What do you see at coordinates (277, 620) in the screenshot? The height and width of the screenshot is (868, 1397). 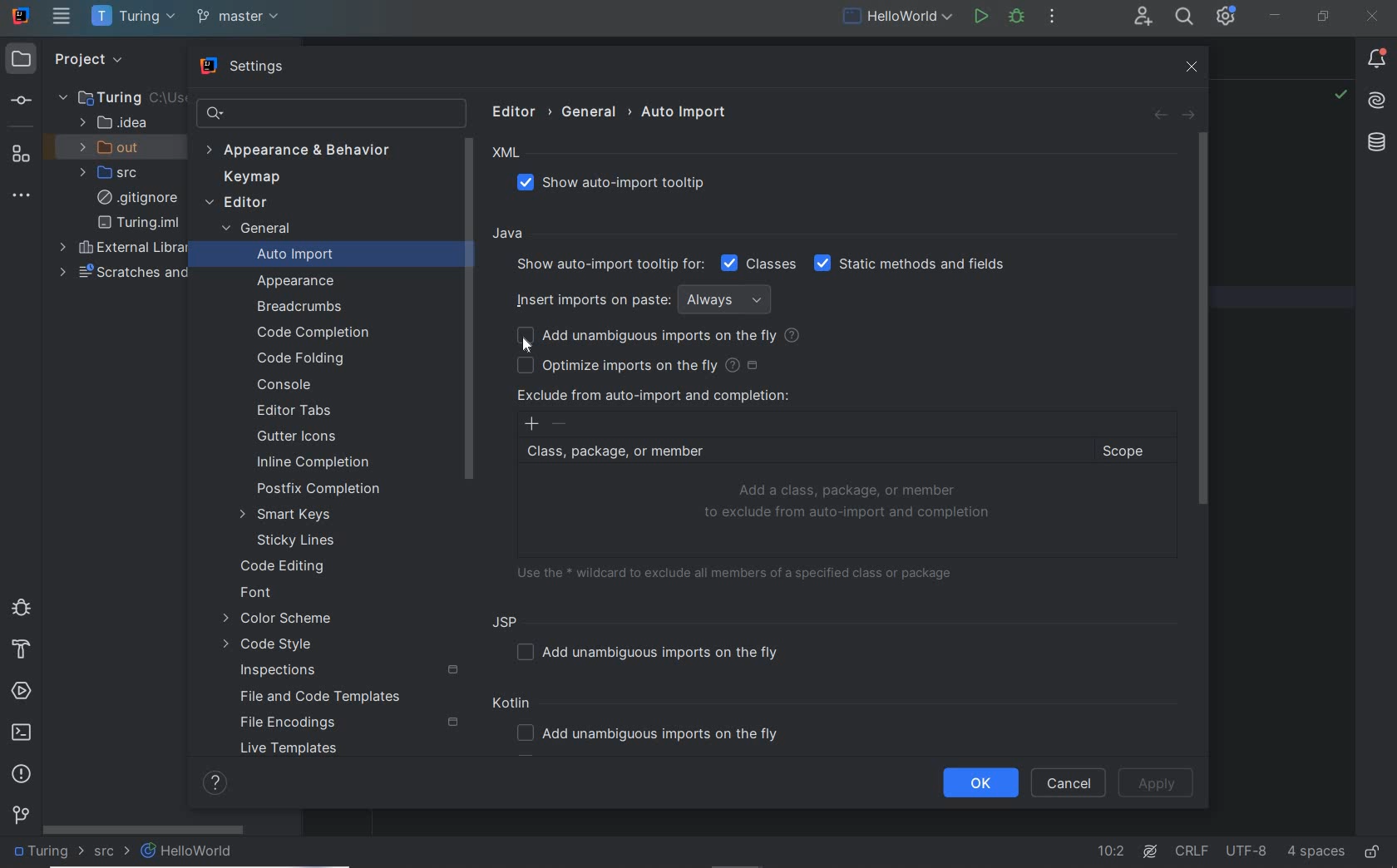 I see `COLOR SCHEME` at bounding box center [277, 620].